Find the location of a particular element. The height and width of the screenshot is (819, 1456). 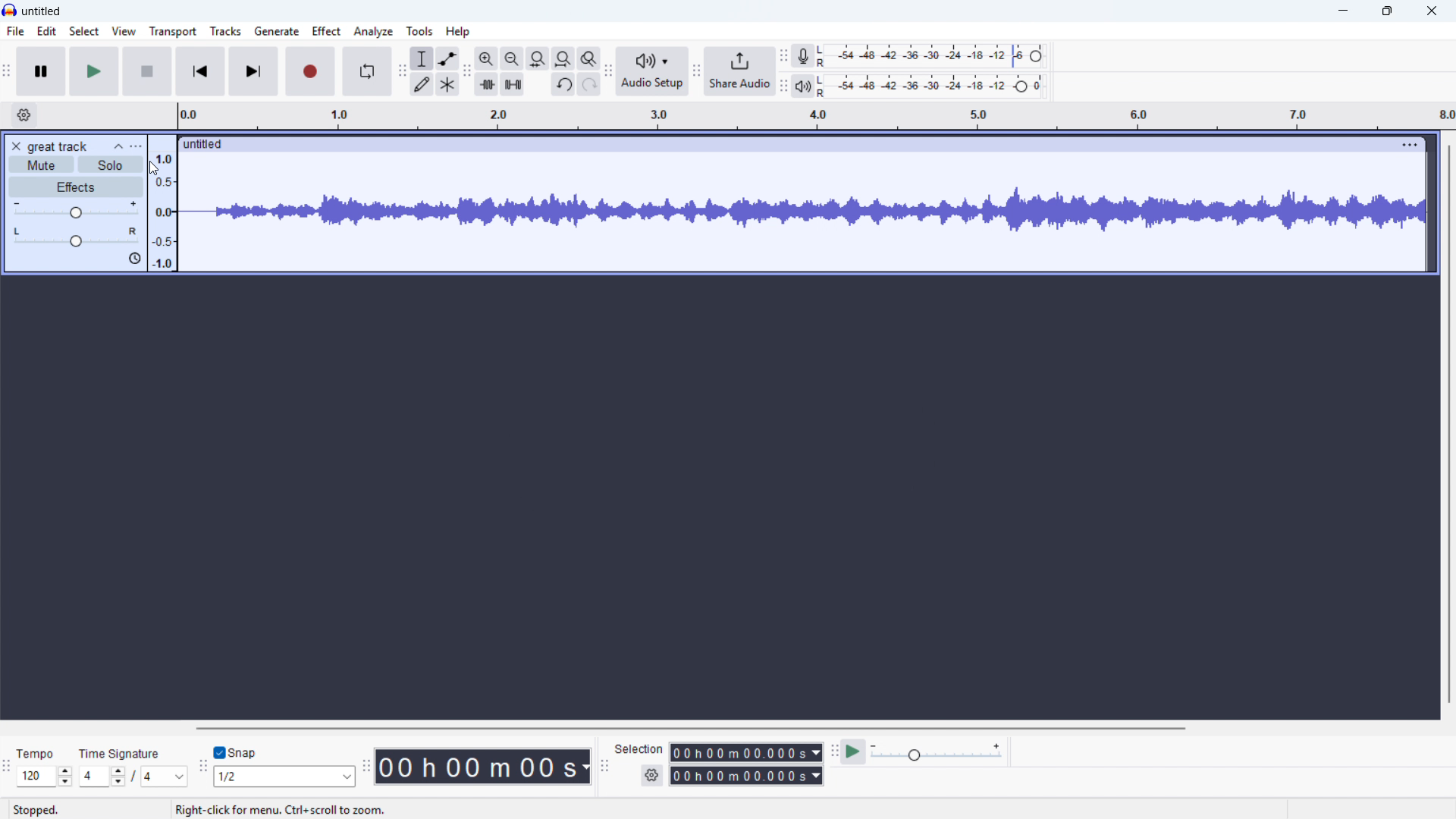

Envelope tool  is located at coordinates (447, 58).